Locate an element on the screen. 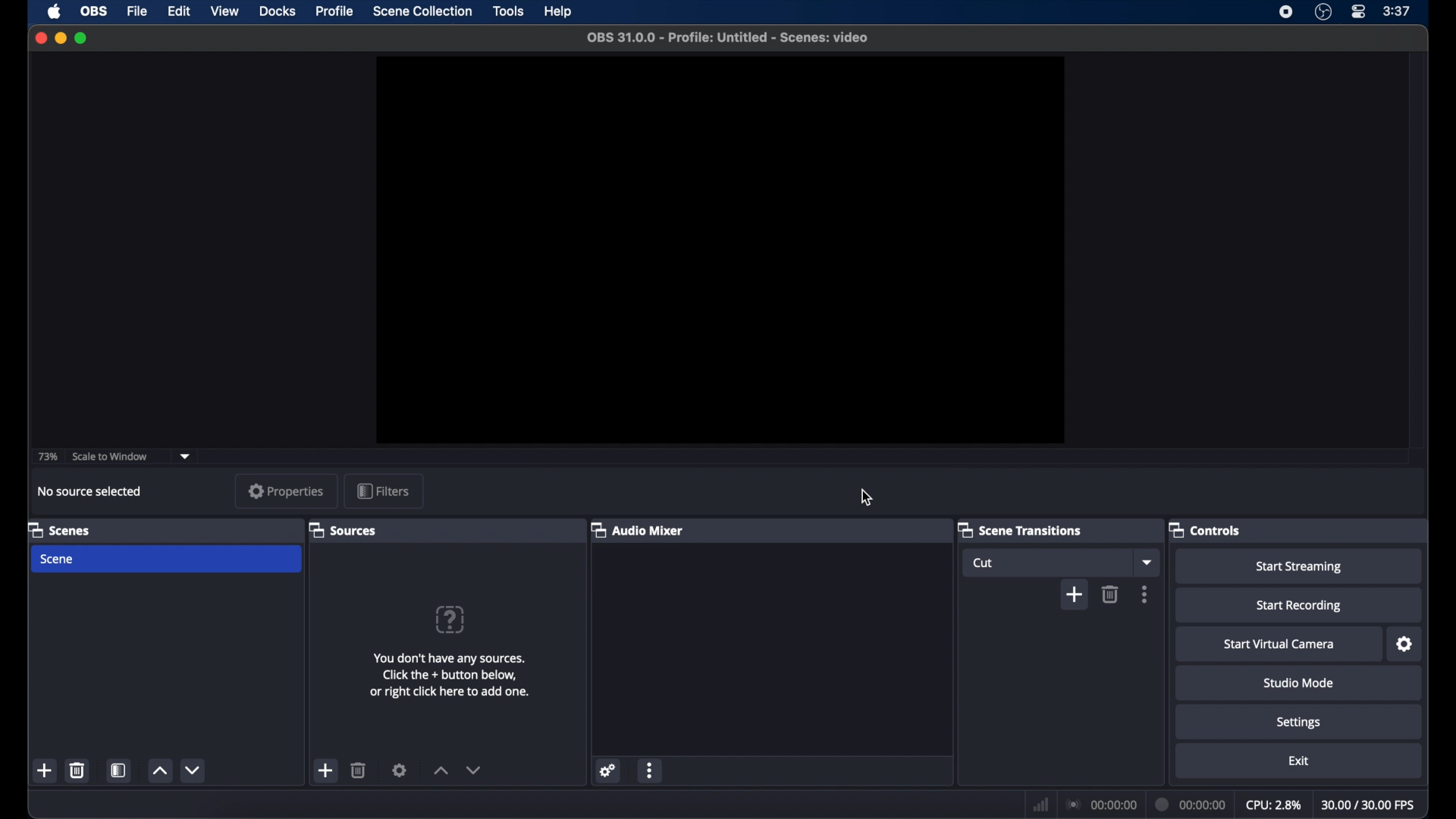 The height and width of the screenshot is (819, 1456). screen recording is located at coordinates (1286, 12).